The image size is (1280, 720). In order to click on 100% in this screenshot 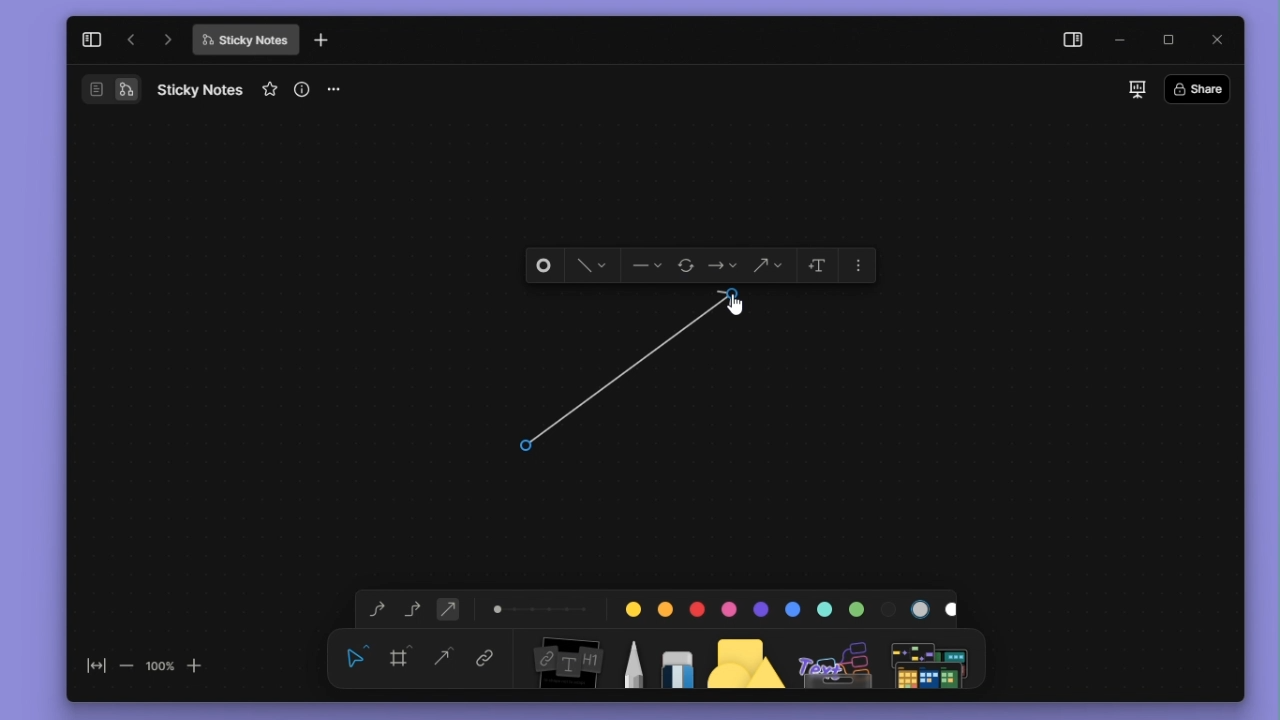, I will do `click(159, 665)`.